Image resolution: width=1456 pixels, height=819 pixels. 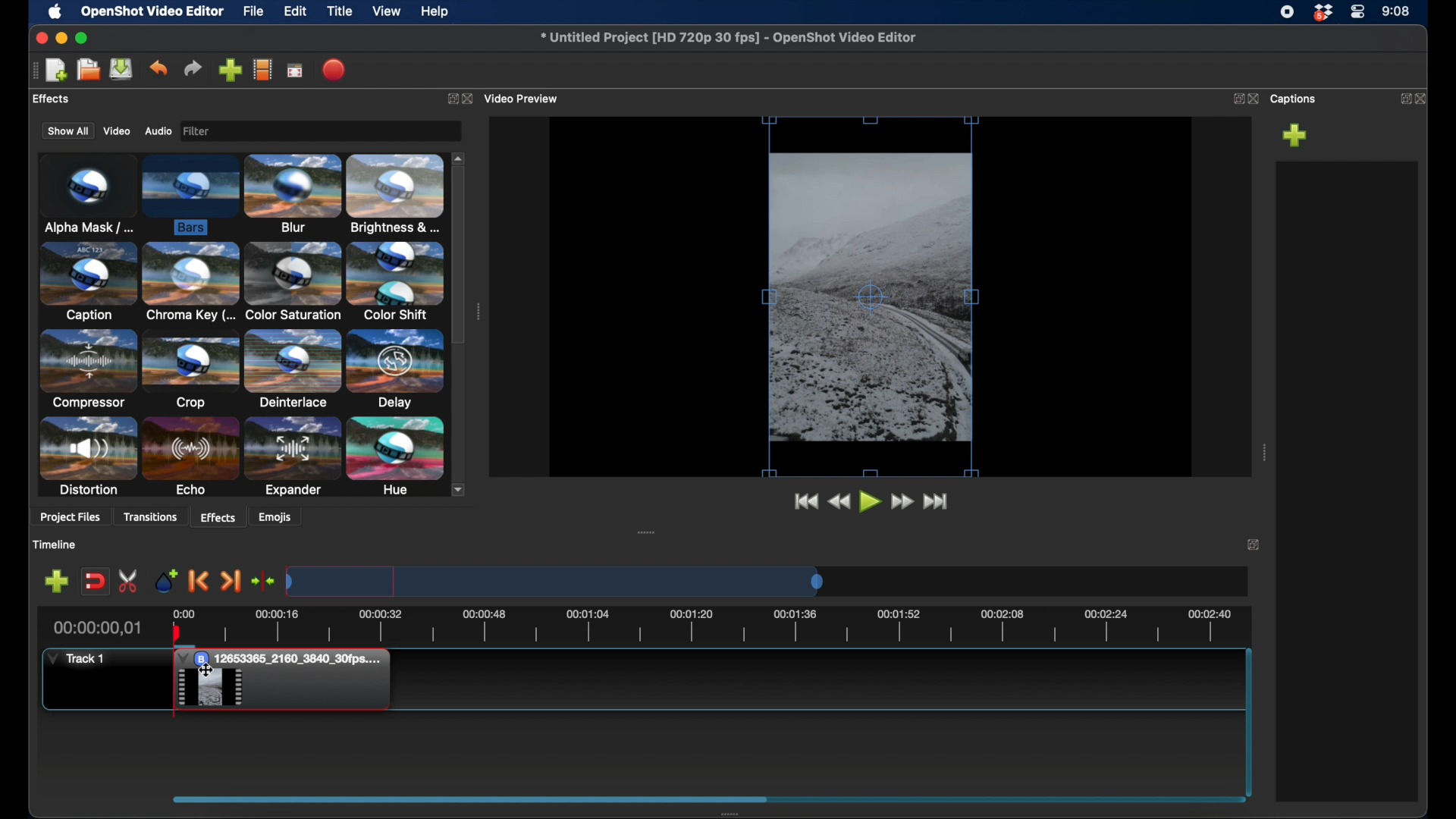 What do you see at coordinates (1295, 135) in the screenshot?
I see `add` at bounding box center [1295, 135].